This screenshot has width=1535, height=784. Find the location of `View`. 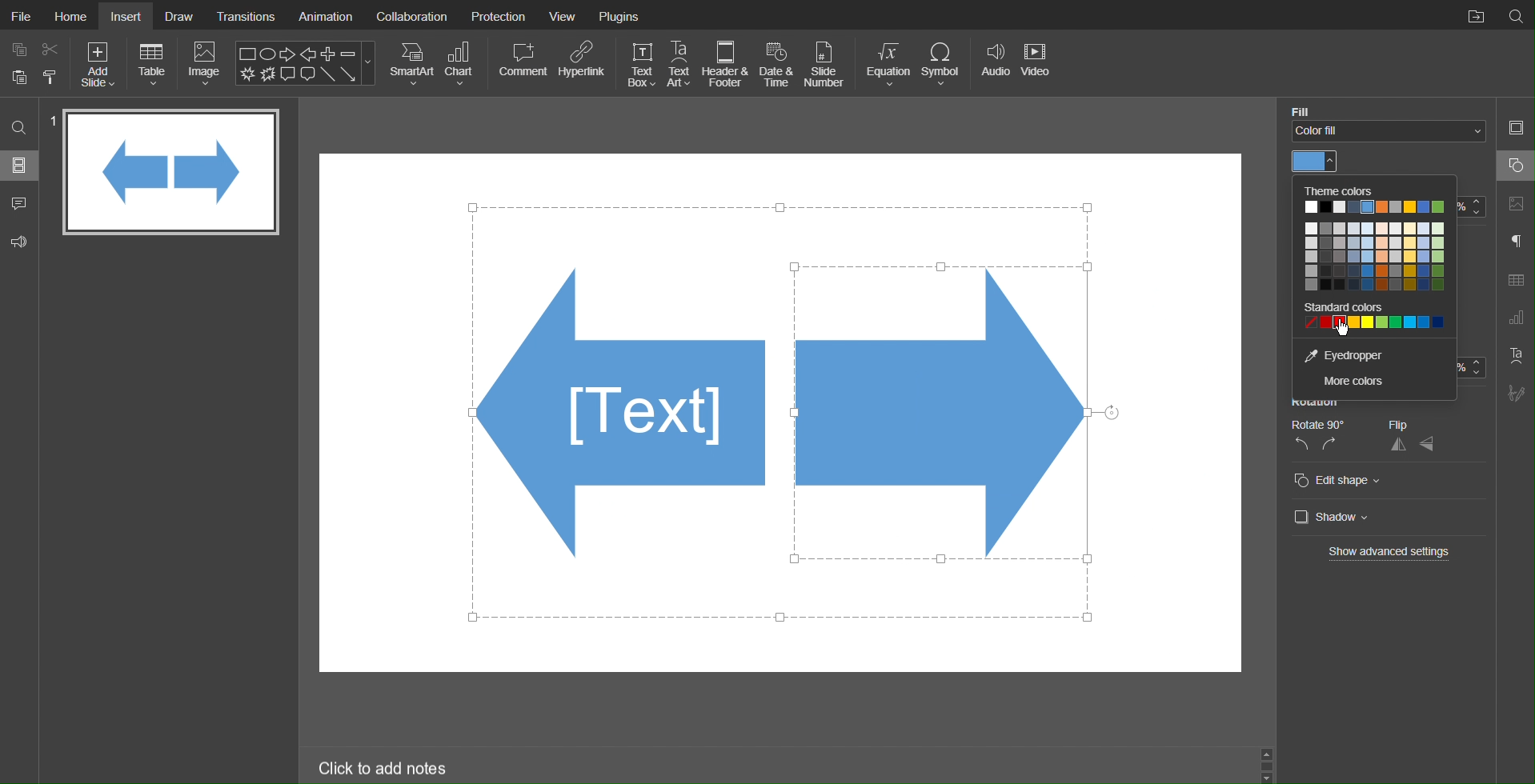

View is located at coordinates (566, 14).